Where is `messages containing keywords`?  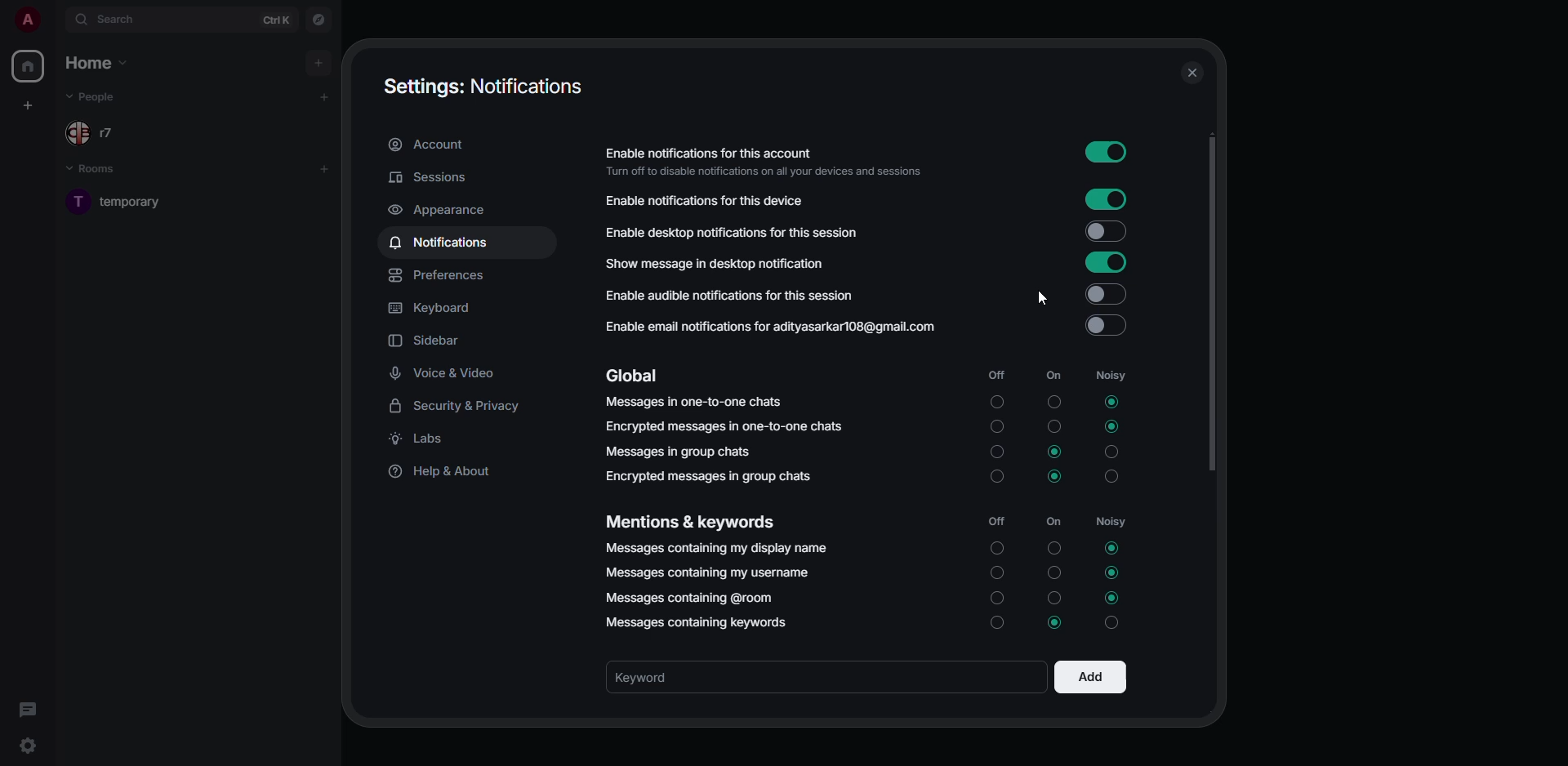
messages containing keywords is located at coordinates (702, 622).